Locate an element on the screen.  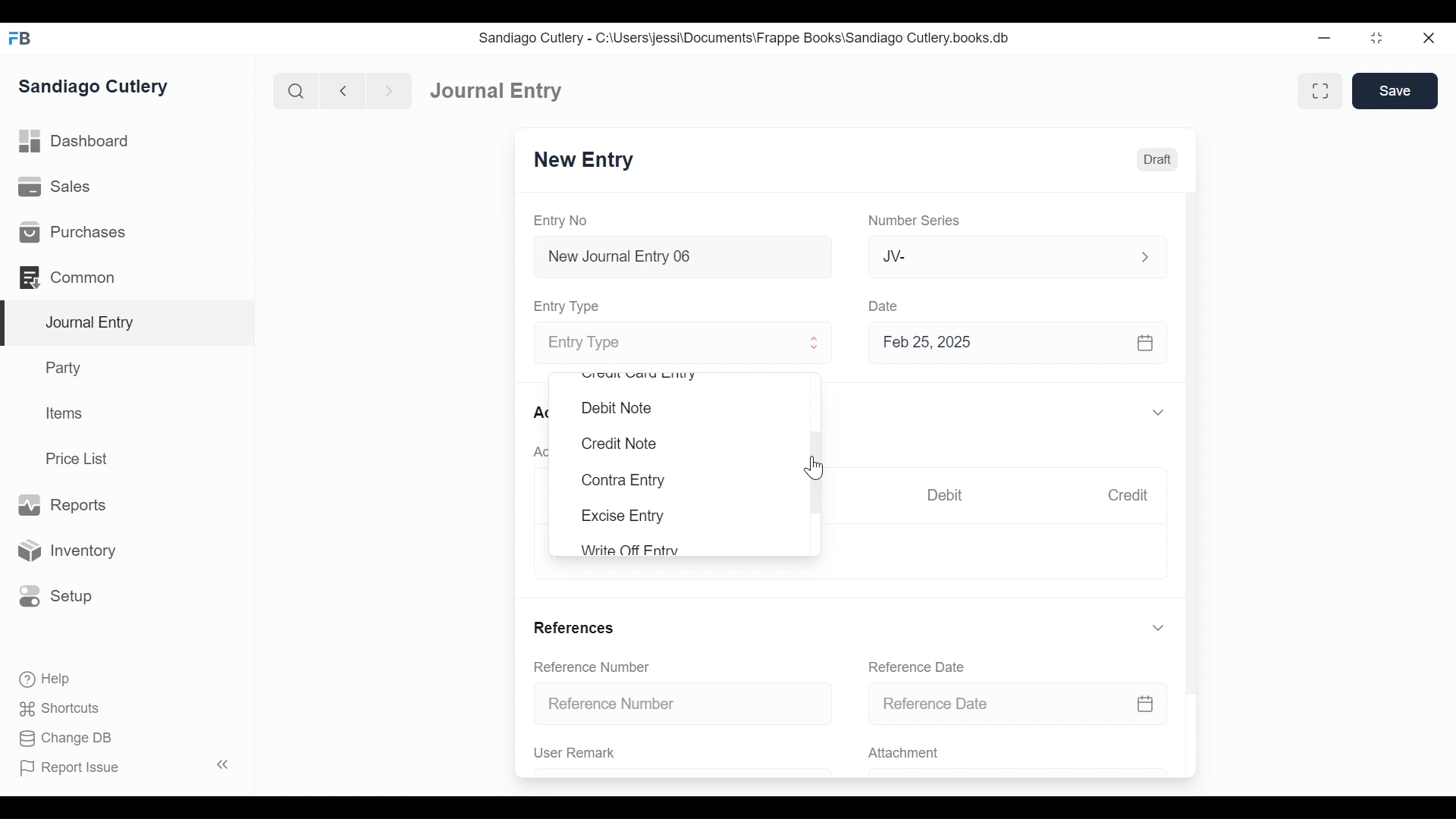
New Entry is located at coordinates (584, 160).